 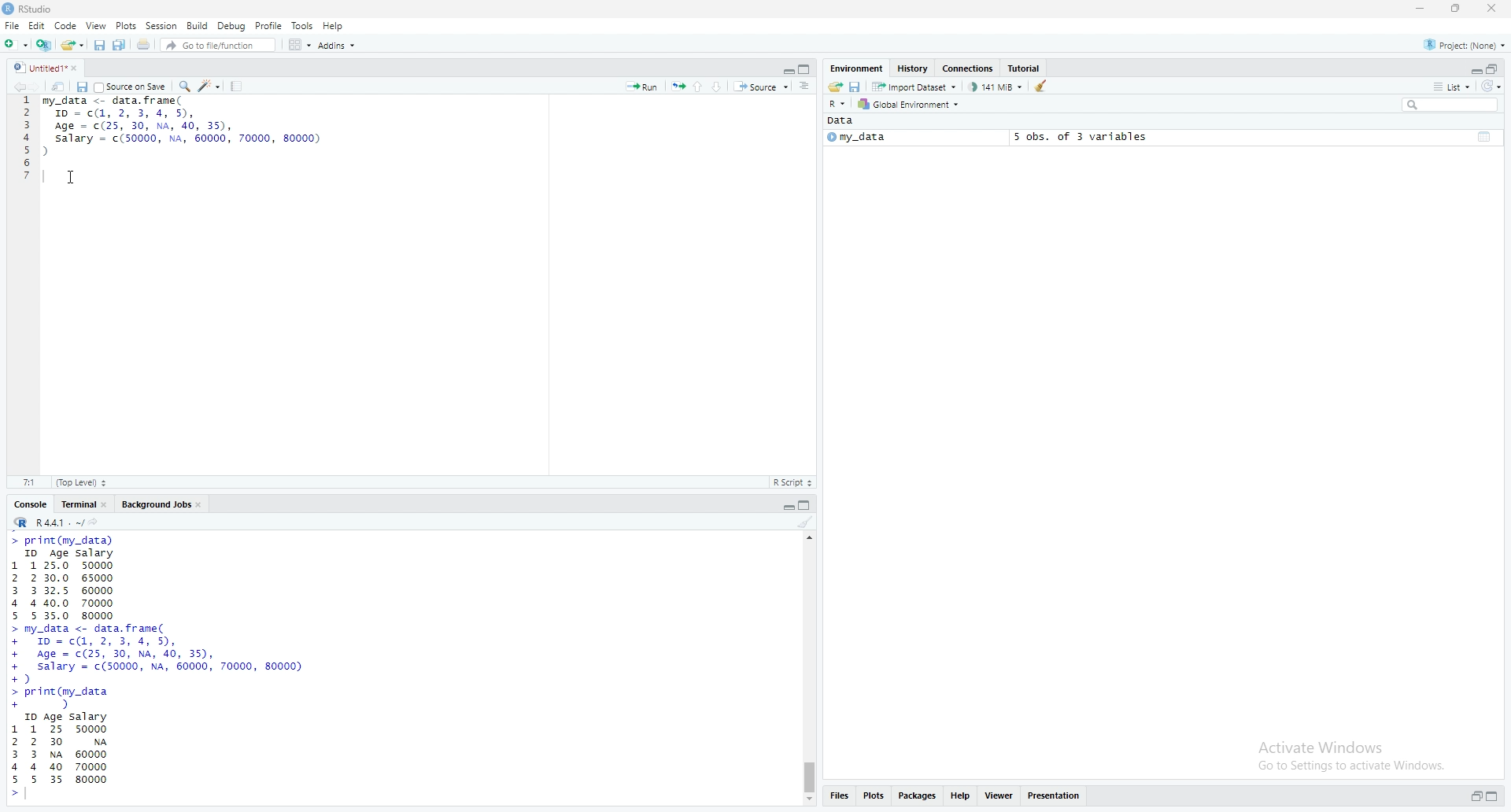 What do you see at coordinates (841, 121) in the screenshot?
I see `Data` at bounding box center [841, 121].